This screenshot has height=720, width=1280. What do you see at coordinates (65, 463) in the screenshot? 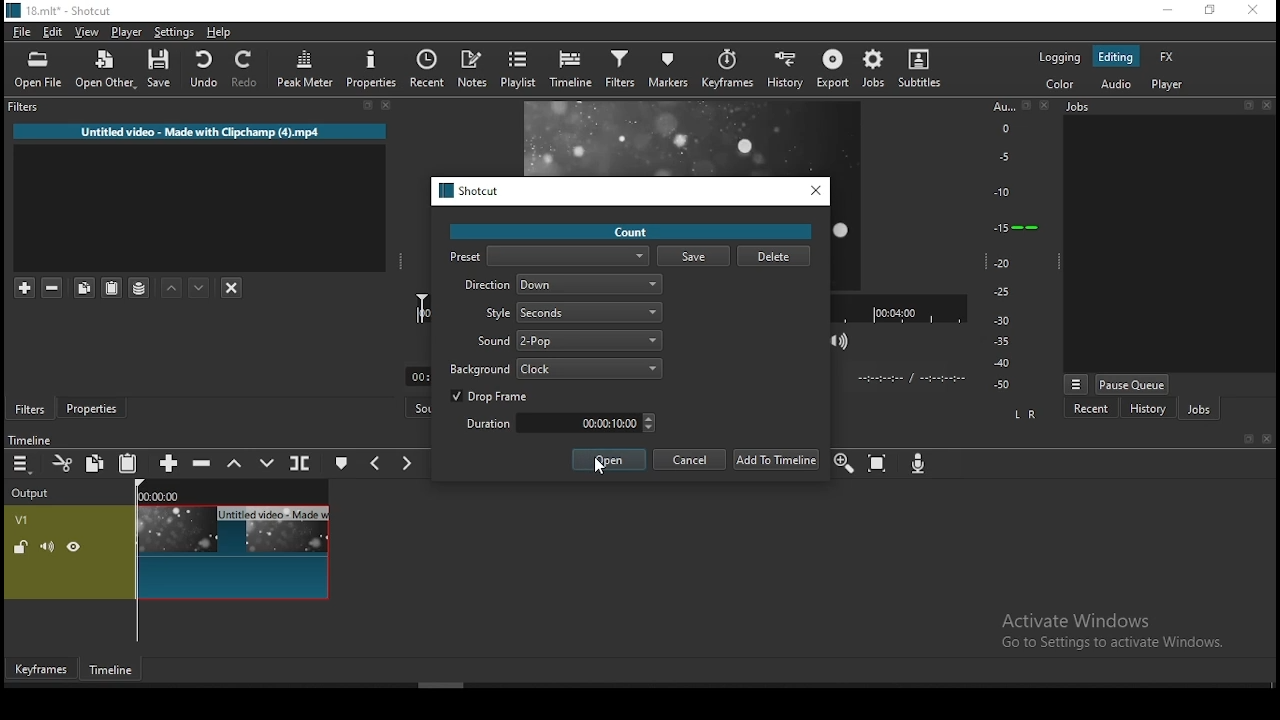
I see `cut` at bounding box center [65, 463].